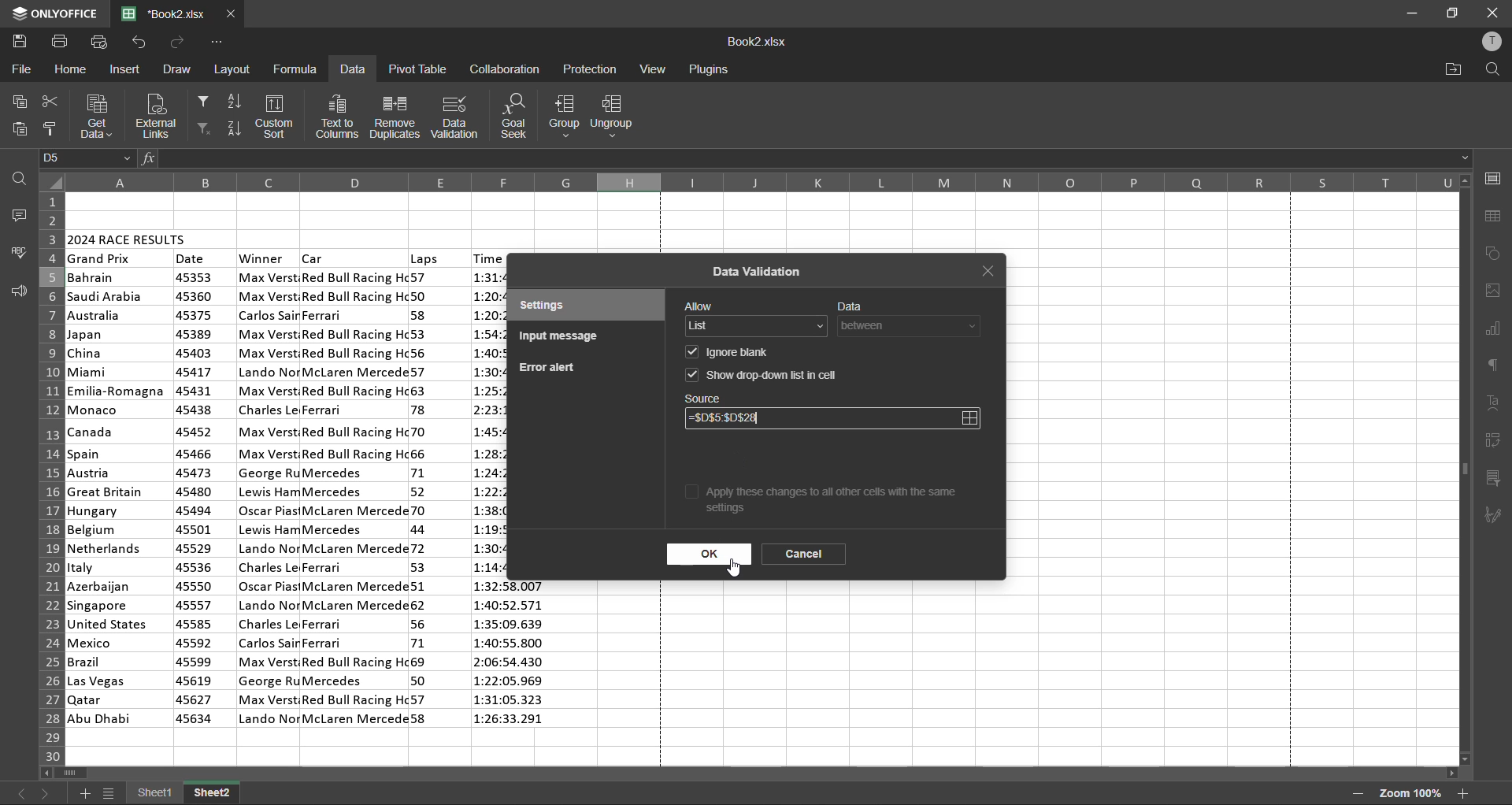 Image resolution: width=1512 pixels, height=805 pixels. I want to click on date, so click(191, 258).